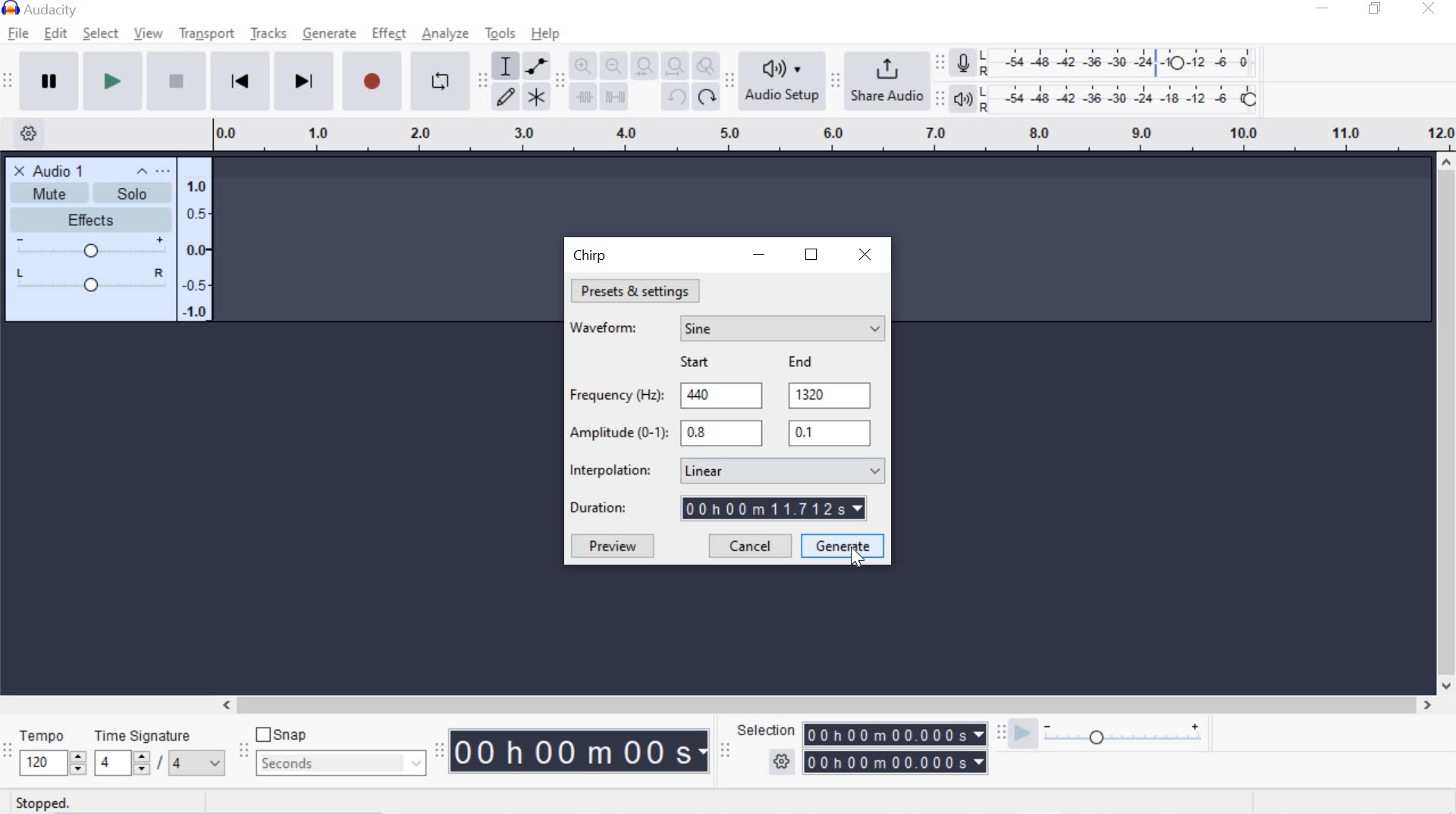  Describe the element at coordinates (1122, 58) in the screenshot. I see `Recording level` at that location.